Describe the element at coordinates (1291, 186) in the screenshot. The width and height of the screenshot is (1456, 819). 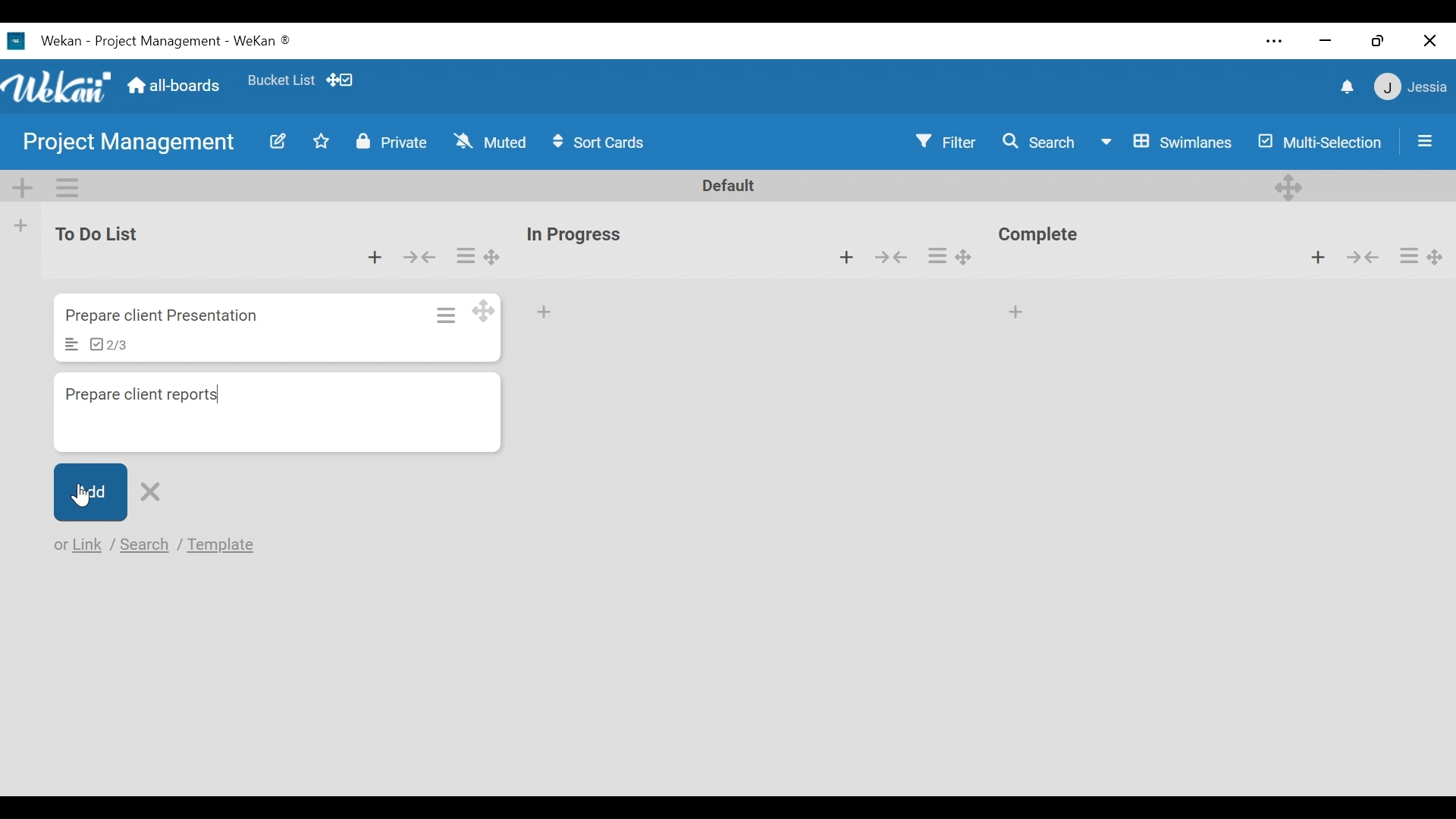
I see `Desktop drag handles` at that location.